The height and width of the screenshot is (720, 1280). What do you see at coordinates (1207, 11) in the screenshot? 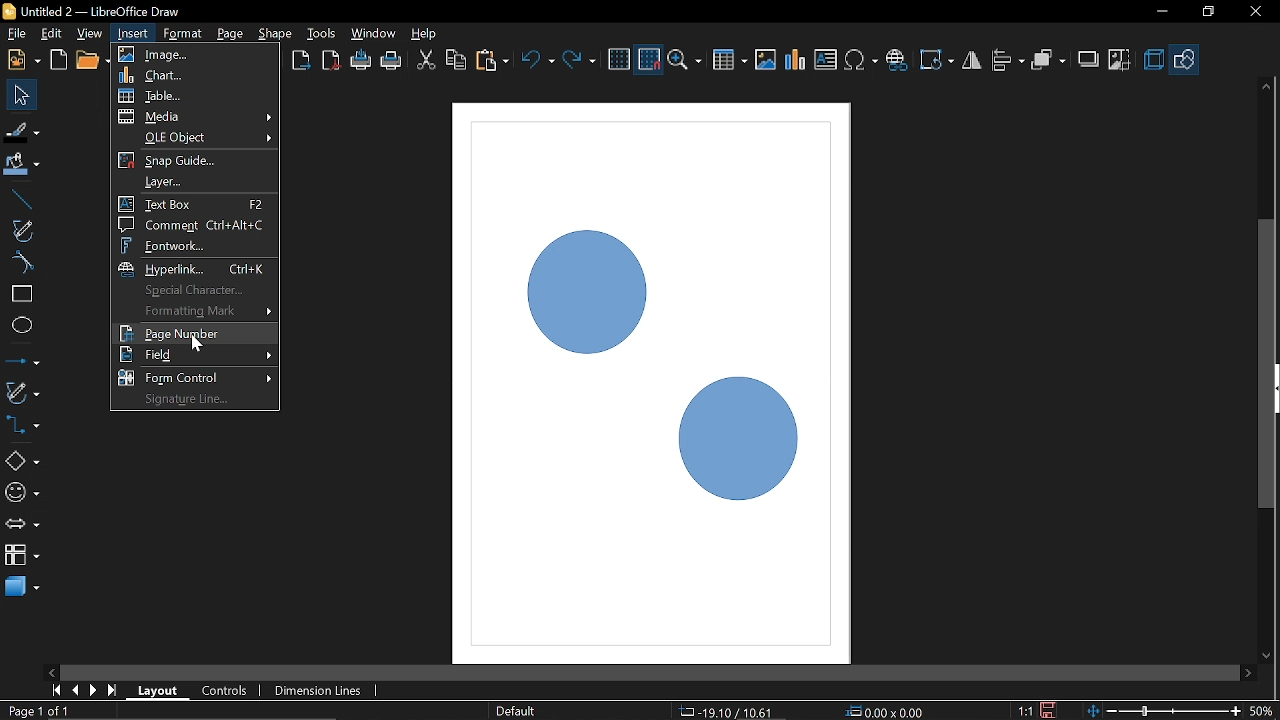
I see `Restore down` at bounding box center [1207, 11].